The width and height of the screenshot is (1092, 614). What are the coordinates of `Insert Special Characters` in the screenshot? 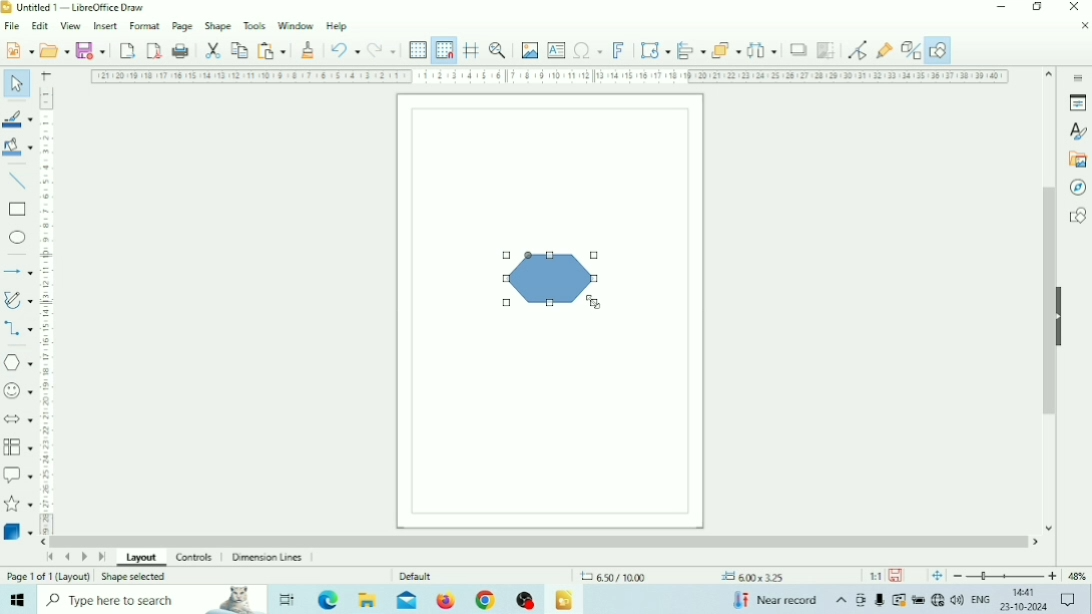 It's located at (588, 50).